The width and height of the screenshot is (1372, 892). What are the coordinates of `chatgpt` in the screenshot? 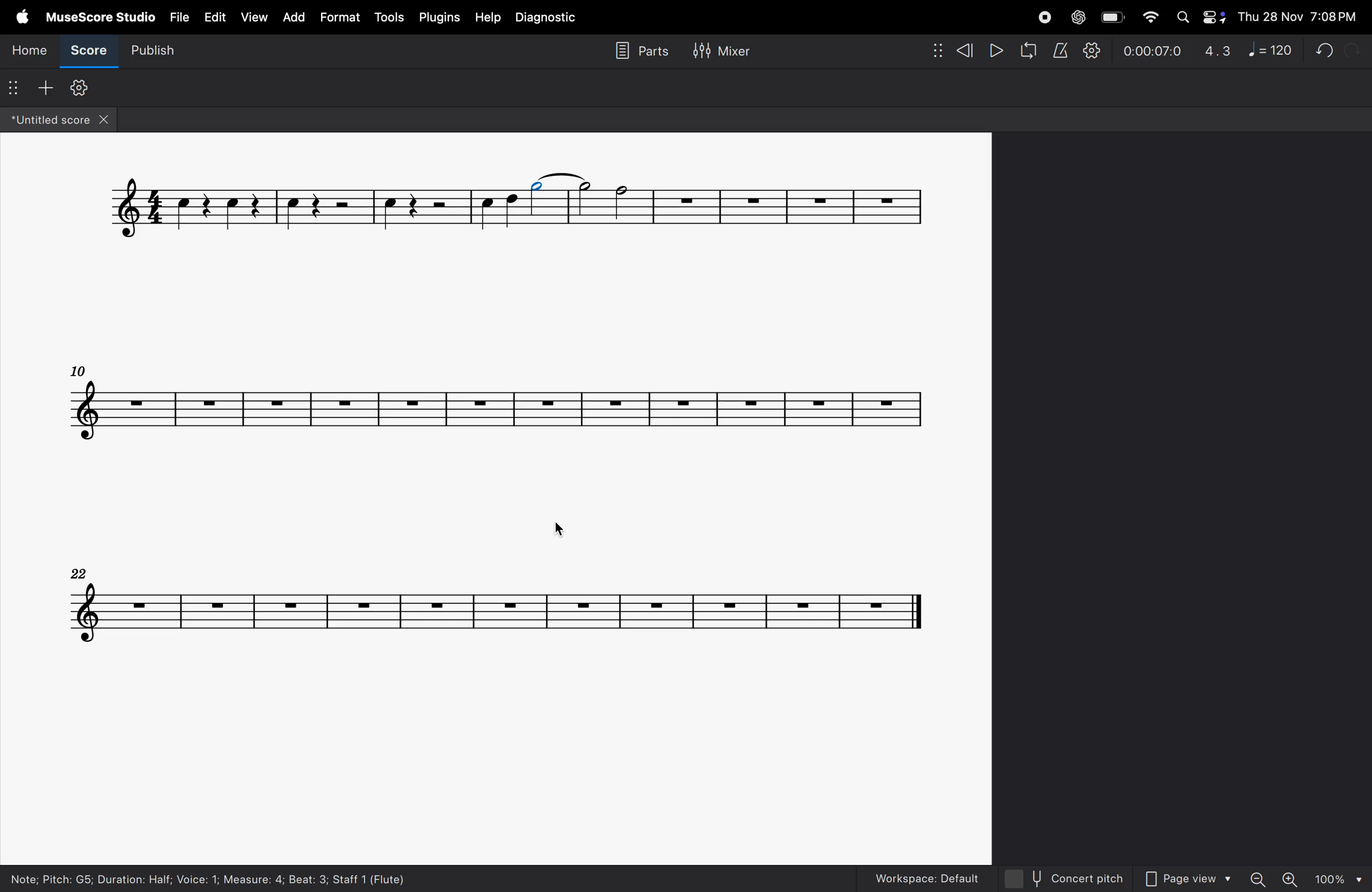 It's located at (1081, 17).